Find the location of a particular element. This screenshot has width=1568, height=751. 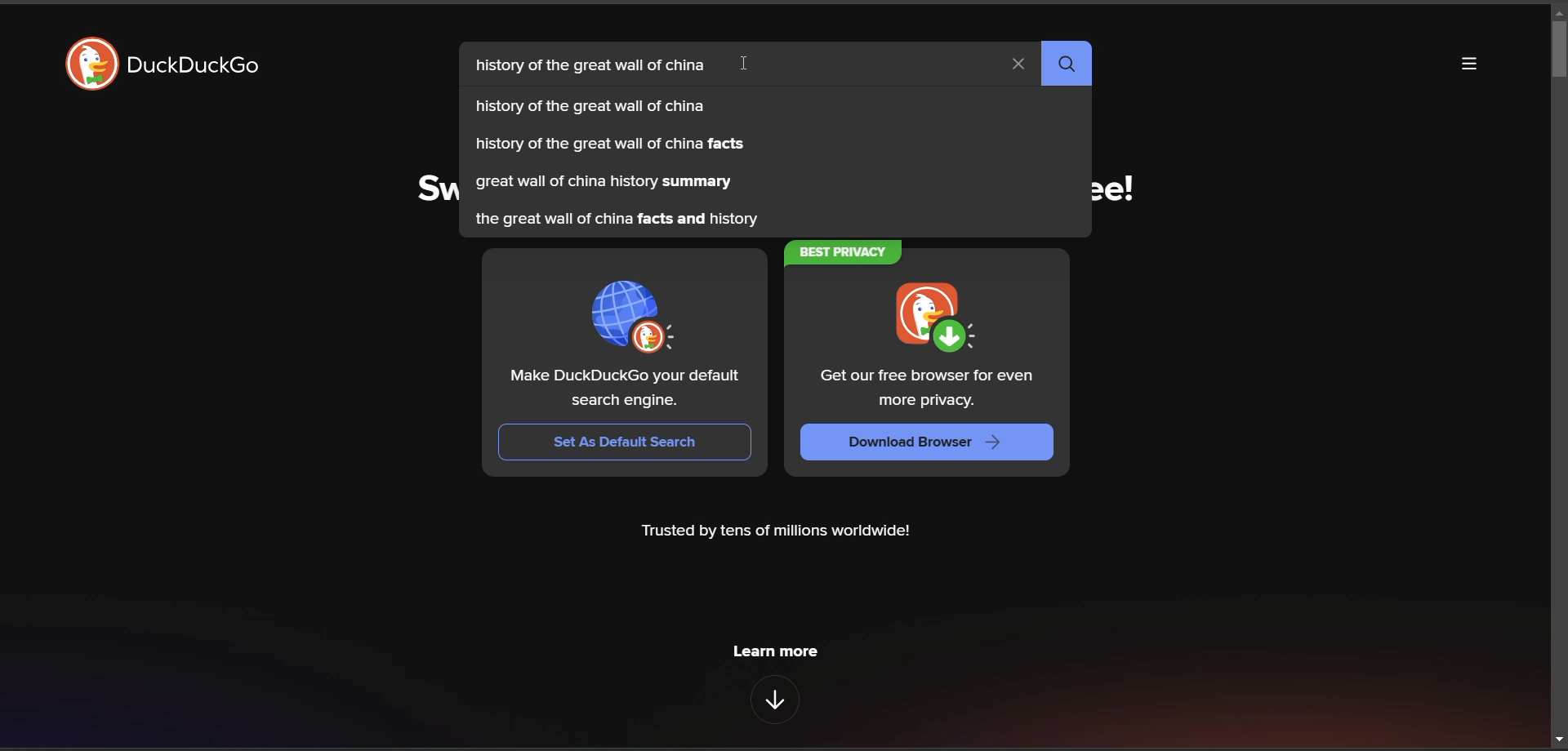

thumbnail is located at coordinates (632, 319).